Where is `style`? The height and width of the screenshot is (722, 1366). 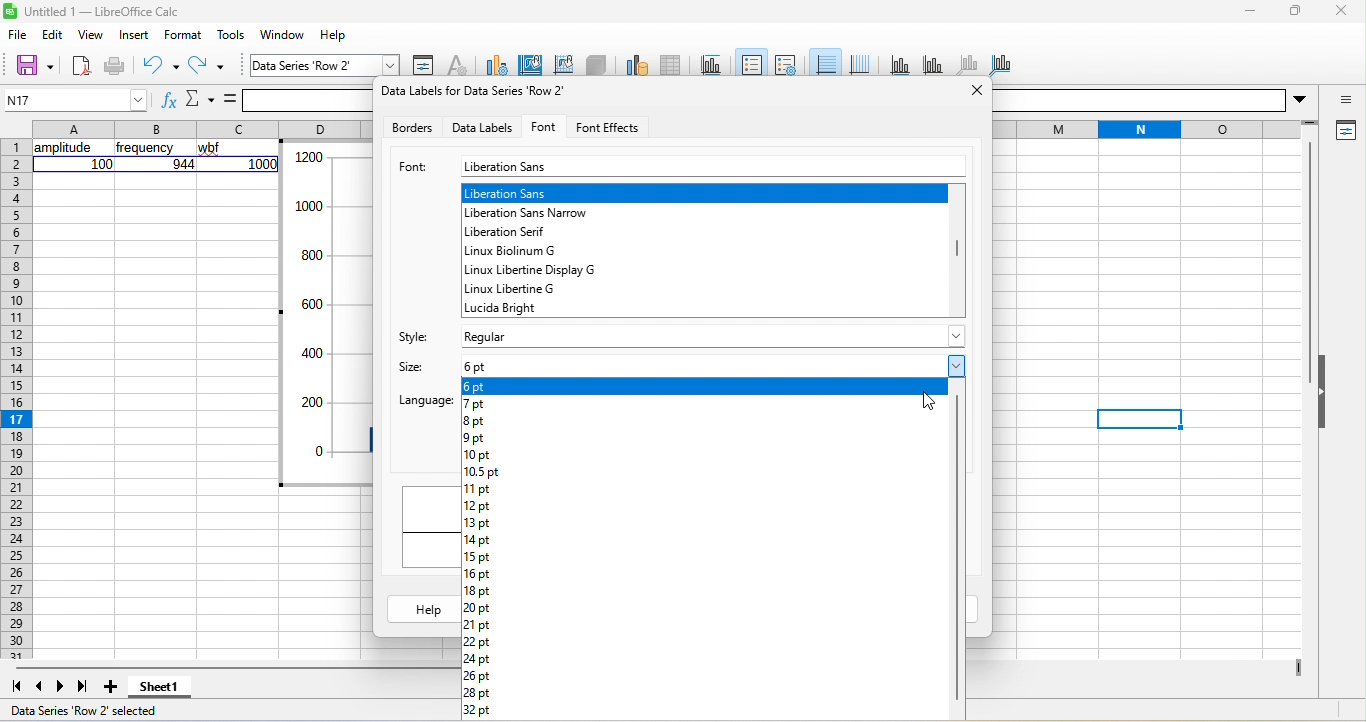 style is located at coordinates (409, 334).